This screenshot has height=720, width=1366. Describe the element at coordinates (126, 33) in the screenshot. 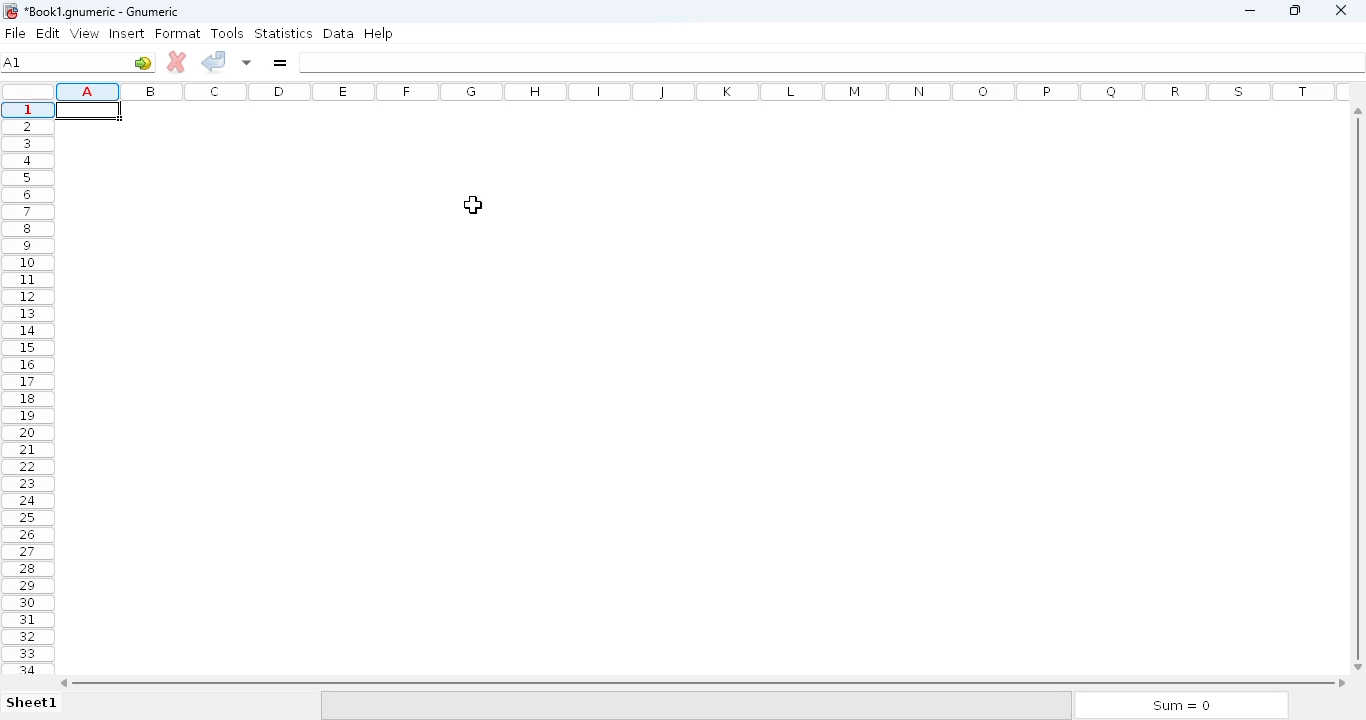

I see `insert` at that location.